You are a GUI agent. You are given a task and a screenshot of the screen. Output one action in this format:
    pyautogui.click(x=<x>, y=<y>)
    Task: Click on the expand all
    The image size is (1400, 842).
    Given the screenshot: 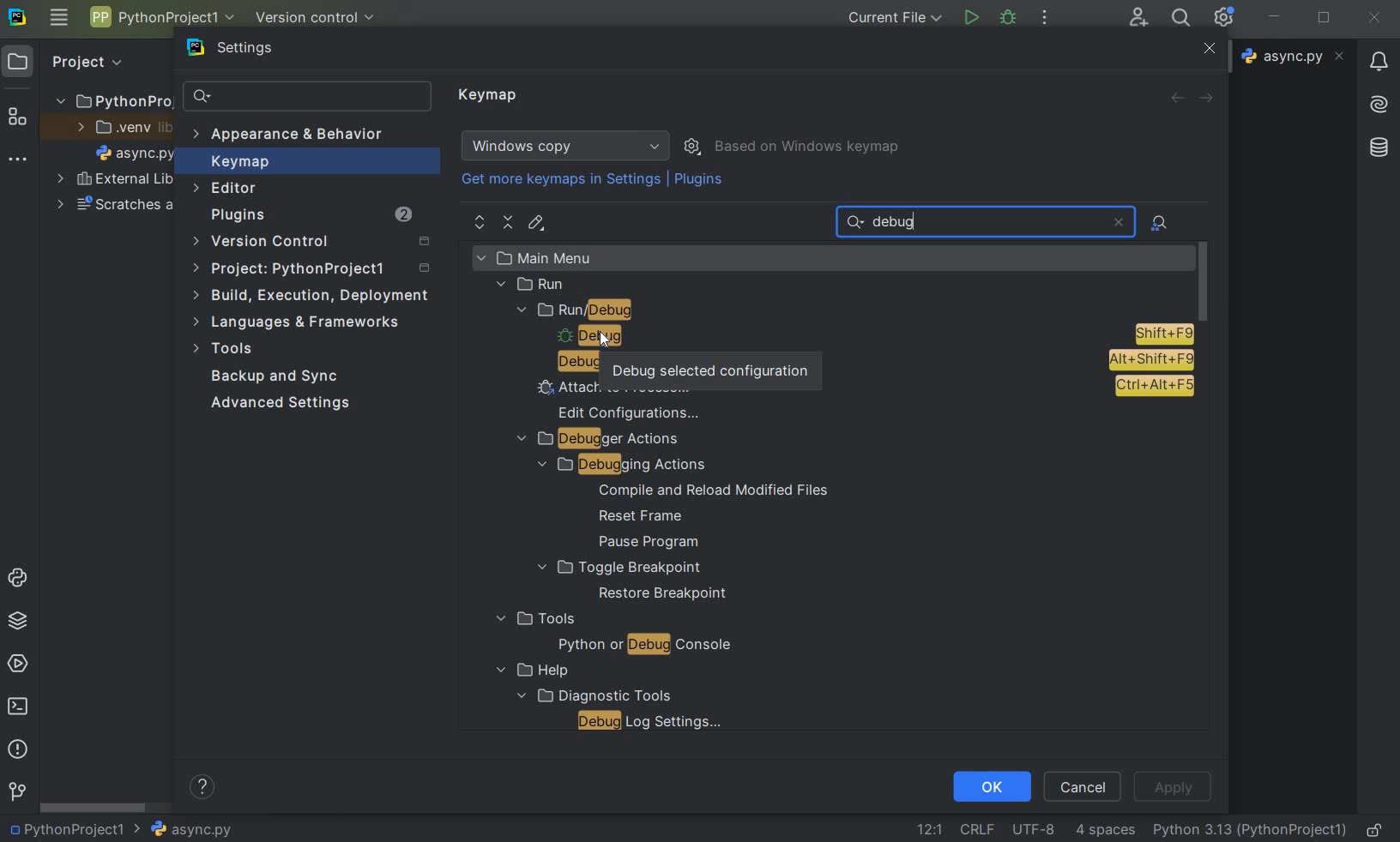 What is the action you would take?
    pyautogui.click(x=480, y=223)
    